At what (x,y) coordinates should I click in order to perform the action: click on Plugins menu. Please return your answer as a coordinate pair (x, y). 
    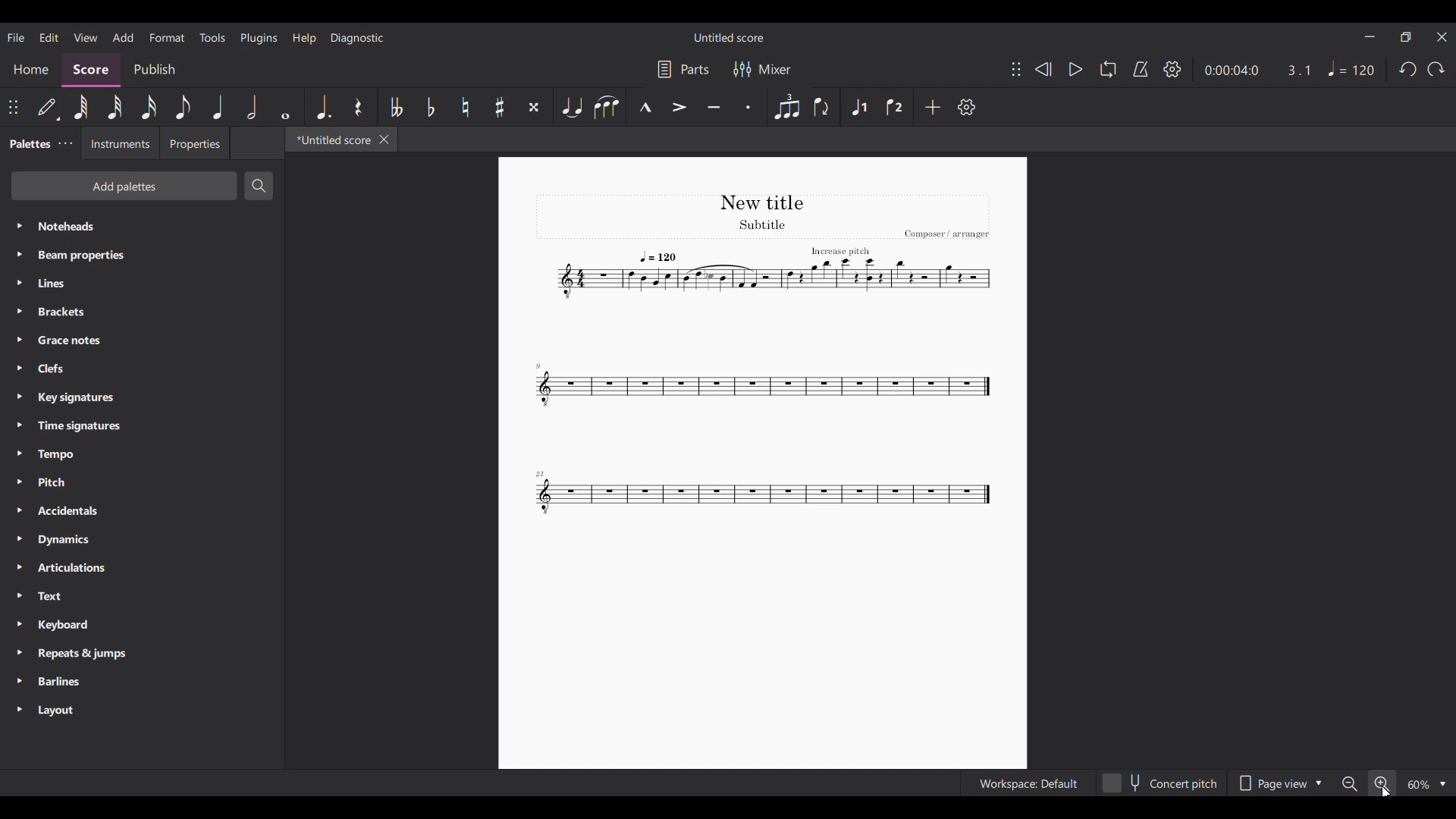
    Looking at the image, I should click on (259, 39).